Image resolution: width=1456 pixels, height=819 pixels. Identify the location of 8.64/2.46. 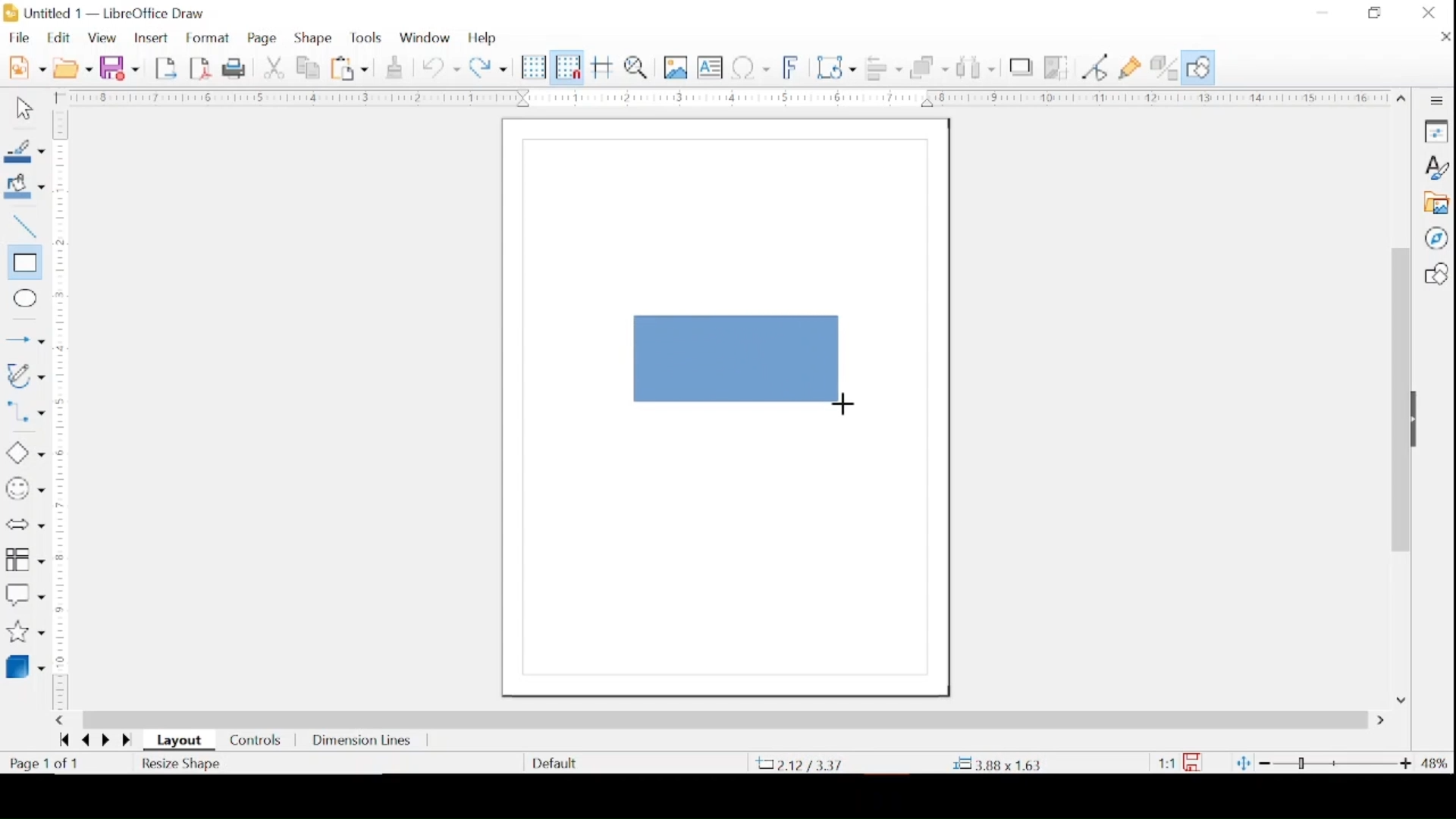
(803, 764).